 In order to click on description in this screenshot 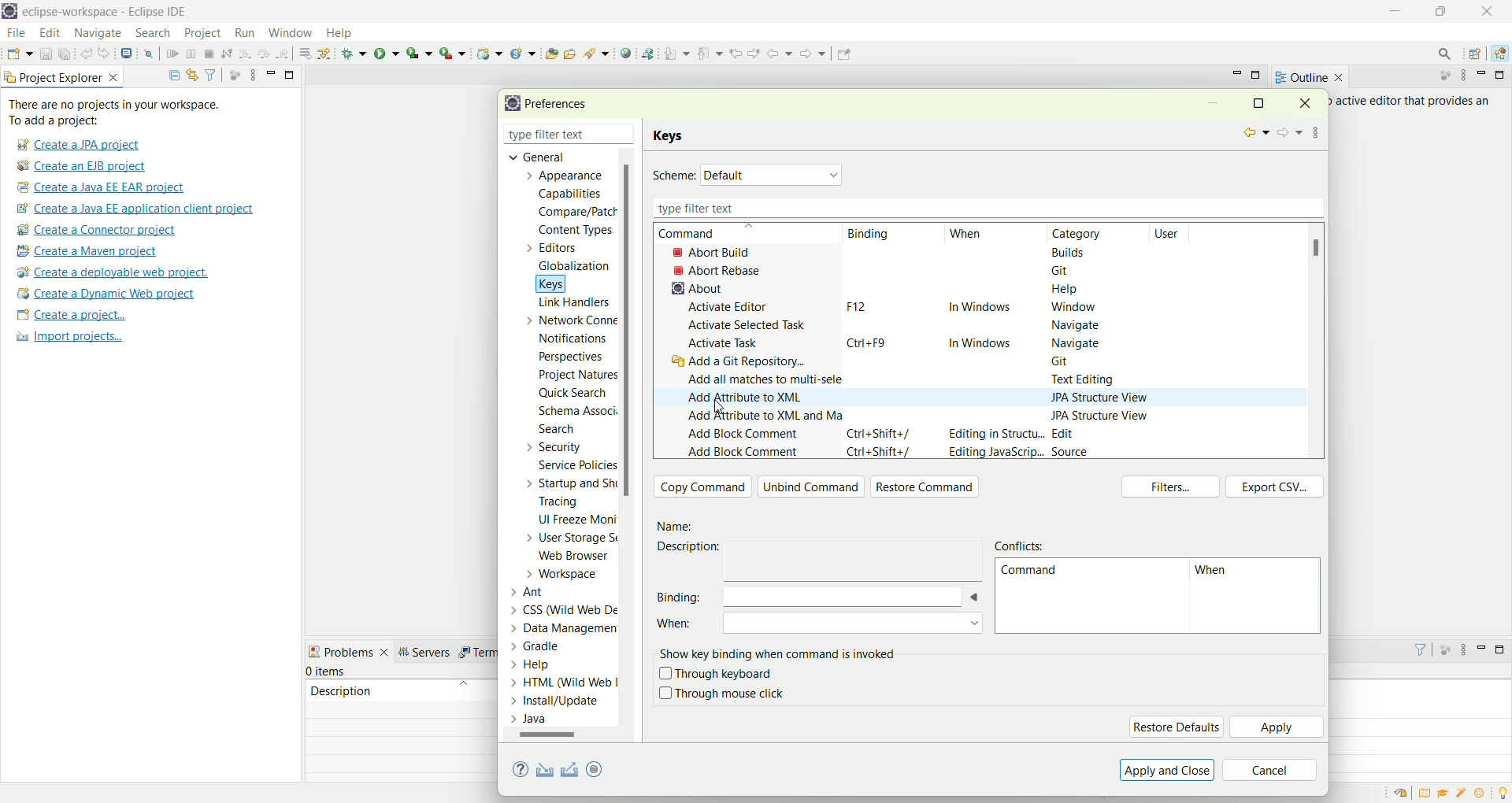, I will do `click(694, 547)`.